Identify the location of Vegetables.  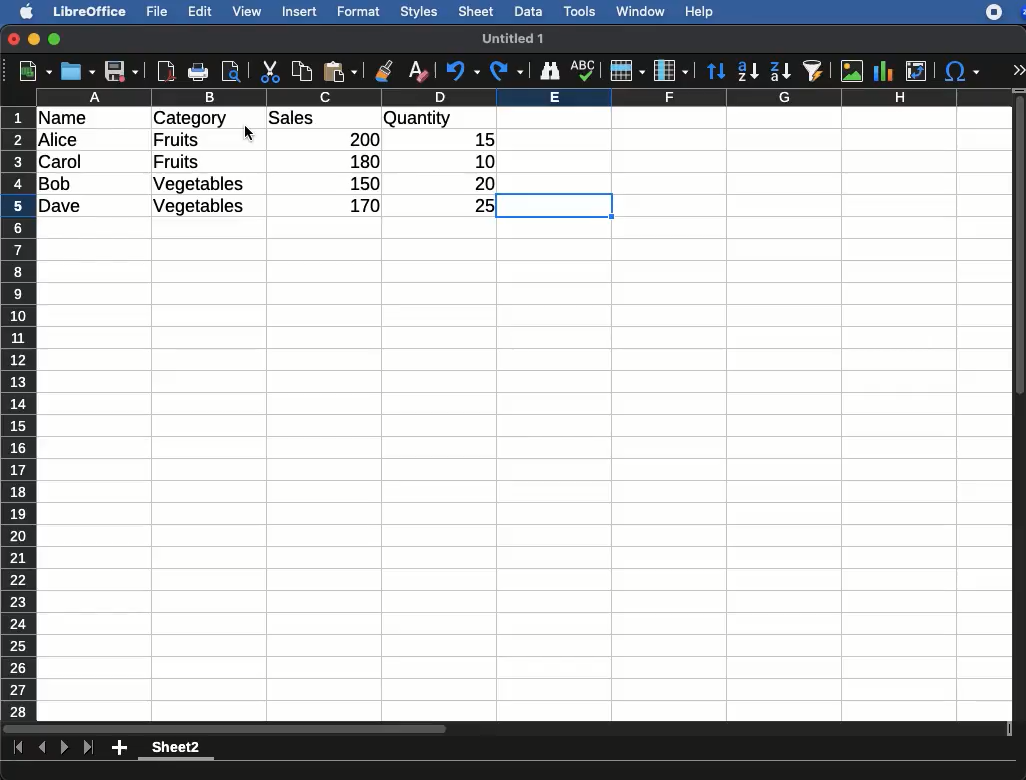
(198, 207).